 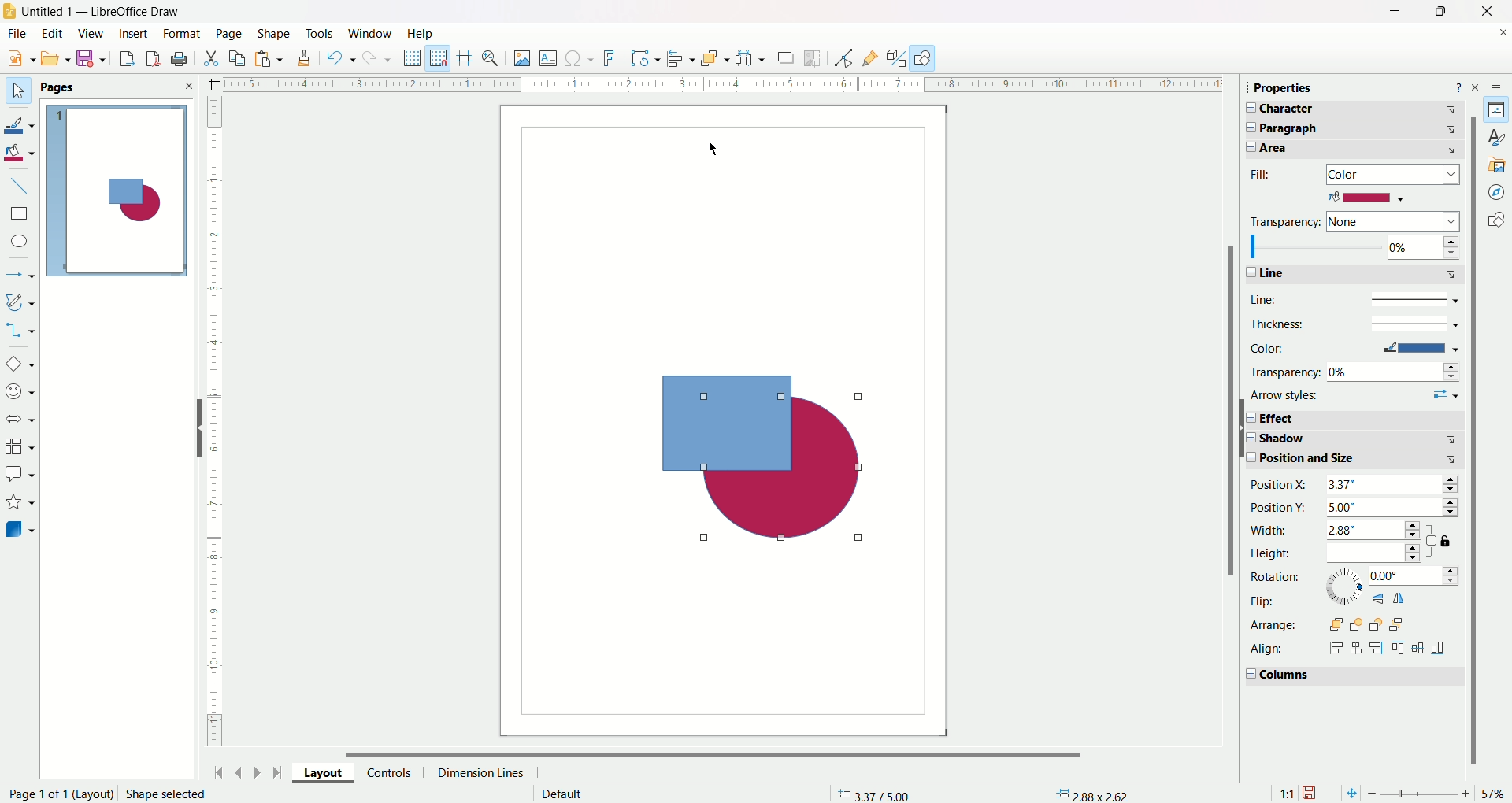 I want to click on layout, so click(x=318, y=772).